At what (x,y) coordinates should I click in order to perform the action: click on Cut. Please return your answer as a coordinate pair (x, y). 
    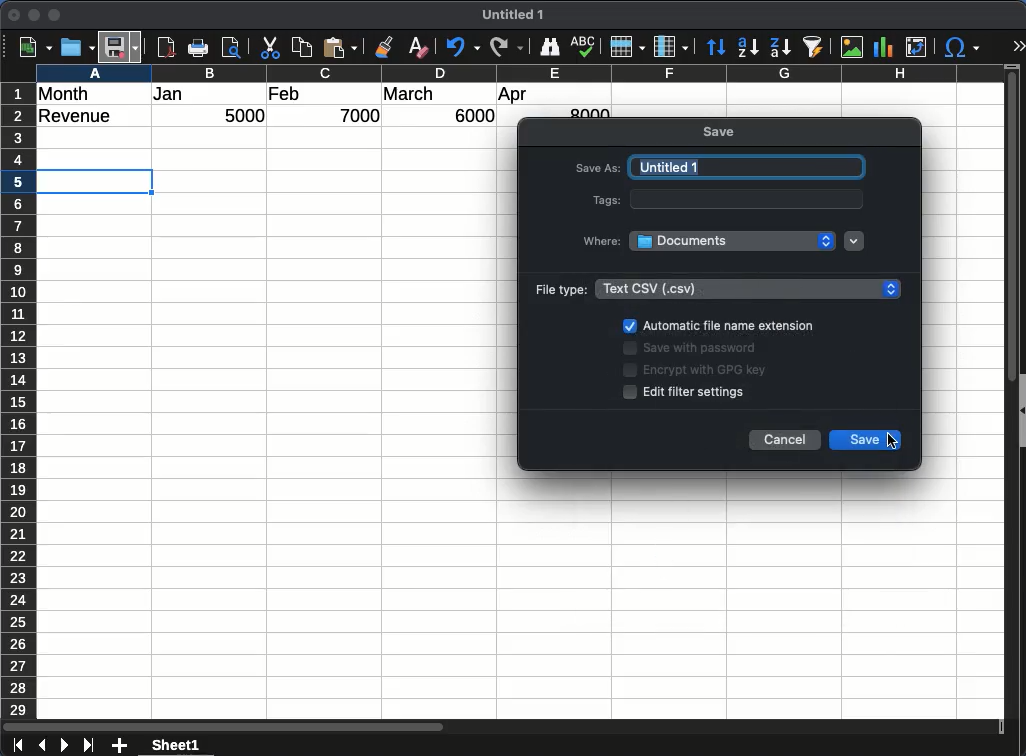
    Looking at the image, I should click on (270, 48).